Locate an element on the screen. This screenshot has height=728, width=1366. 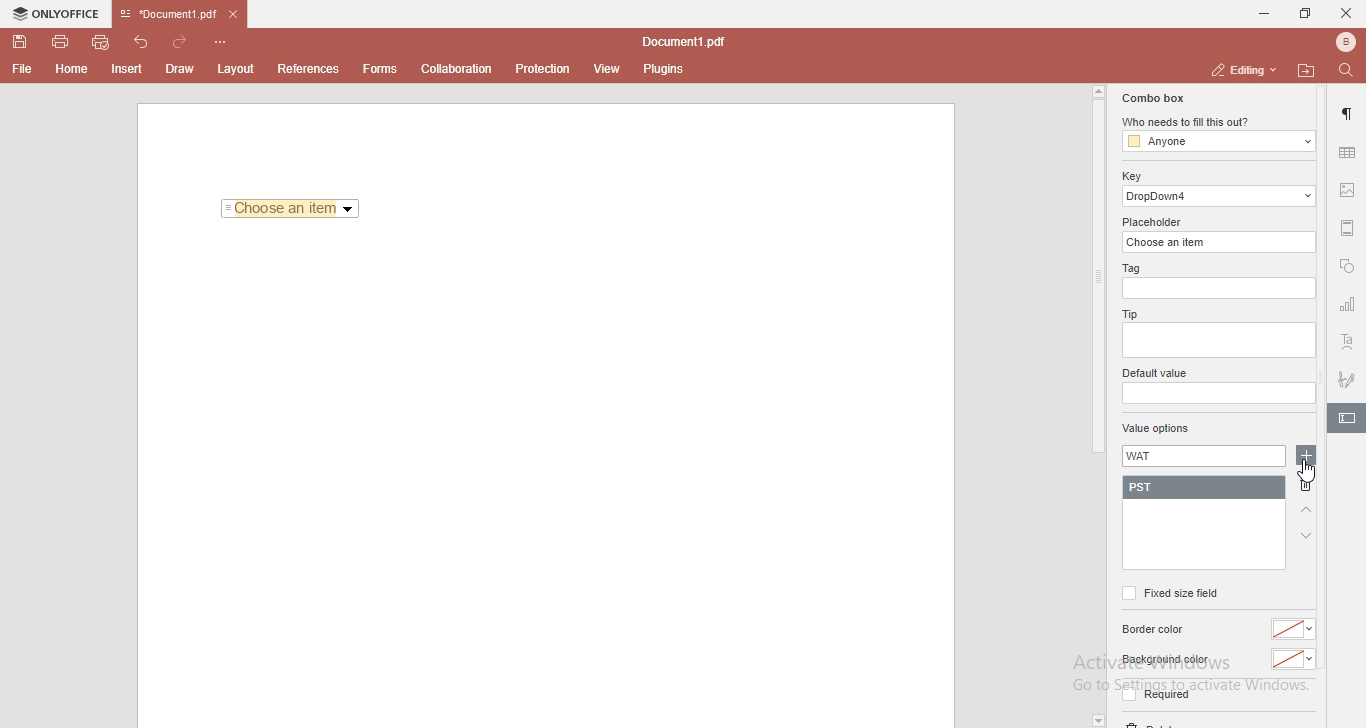
print is located at coordinates (59, 40).